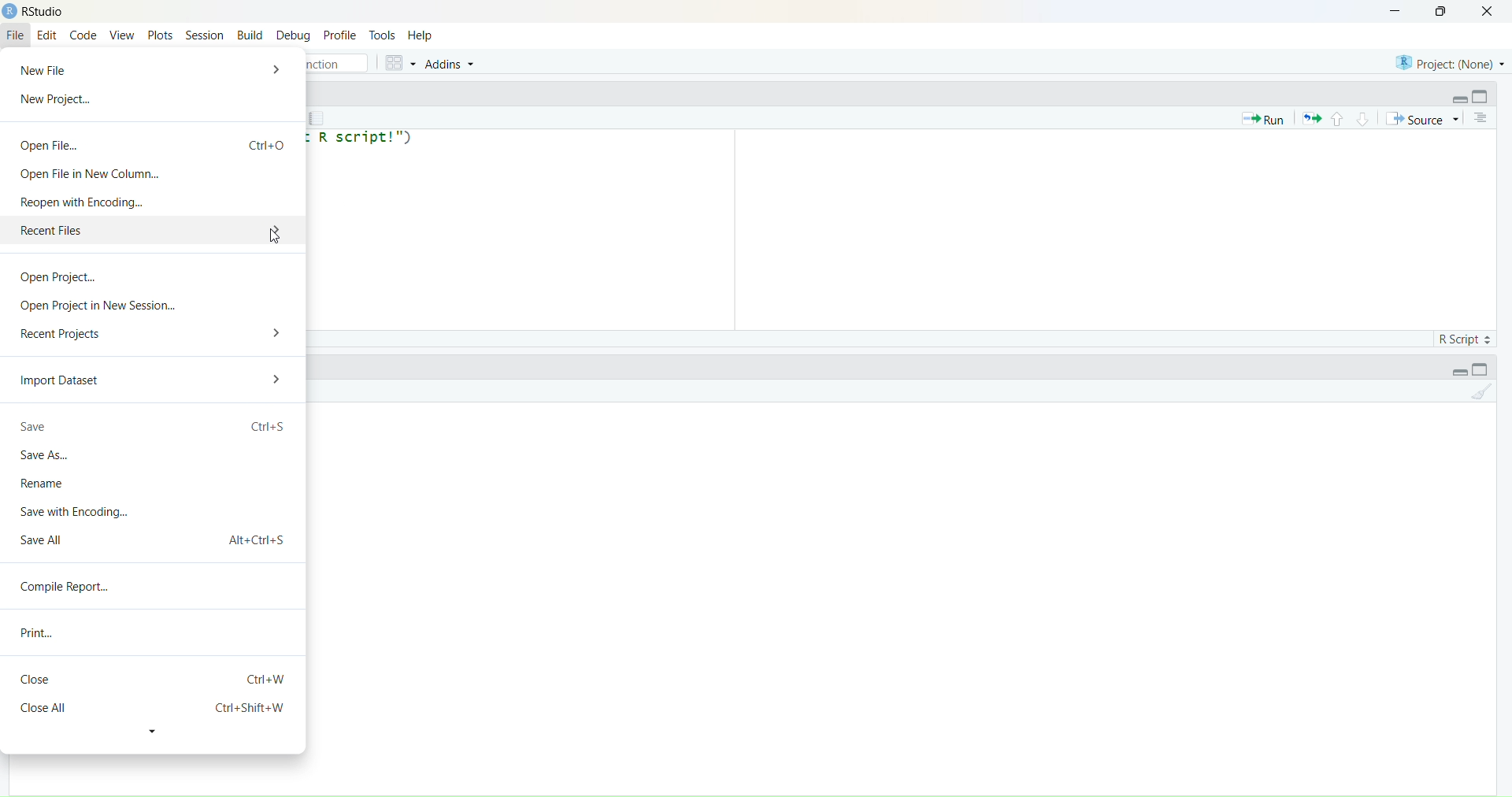  I want to click on Code, so click(84, 36).